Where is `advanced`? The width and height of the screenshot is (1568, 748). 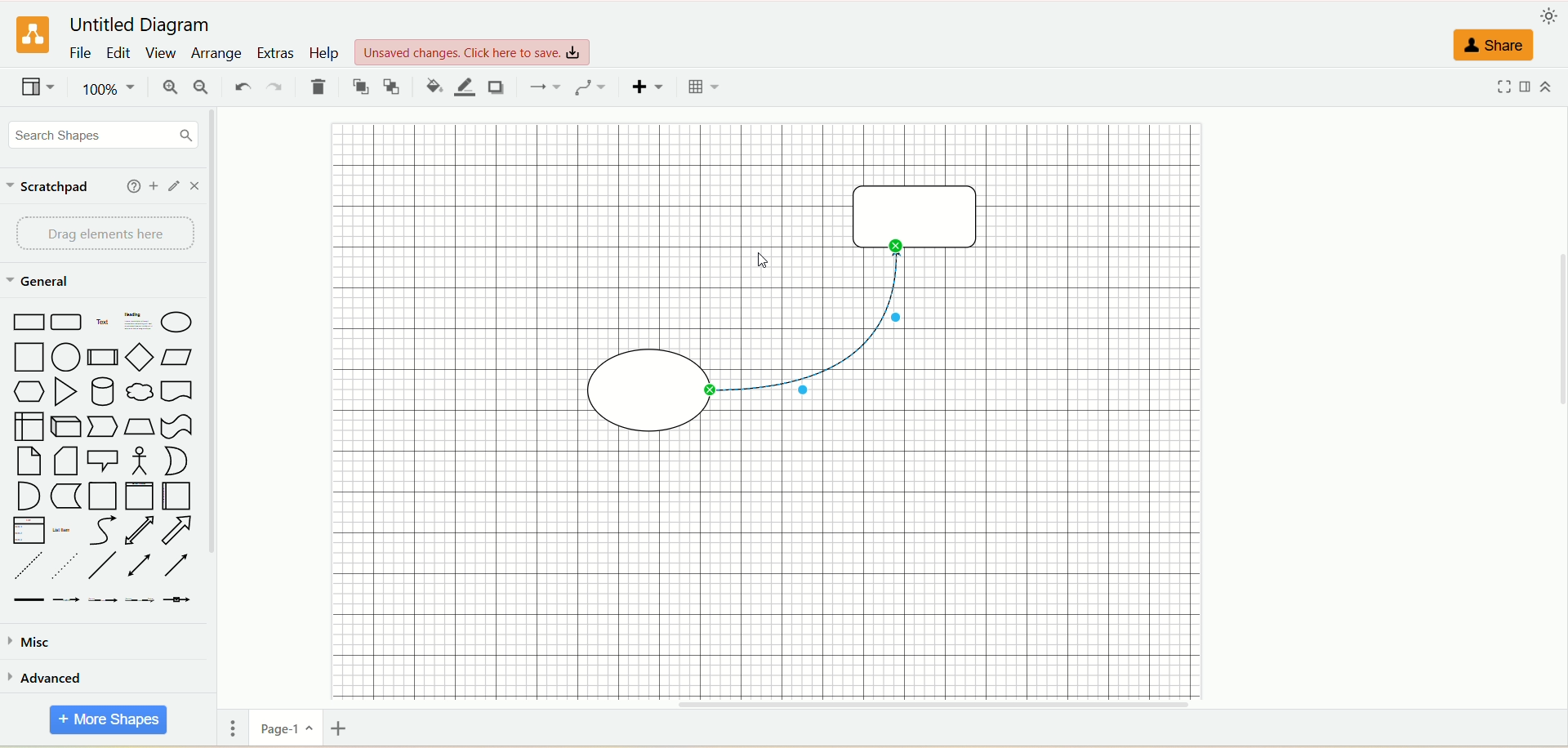 advanced is located at coordinates (47, 677).